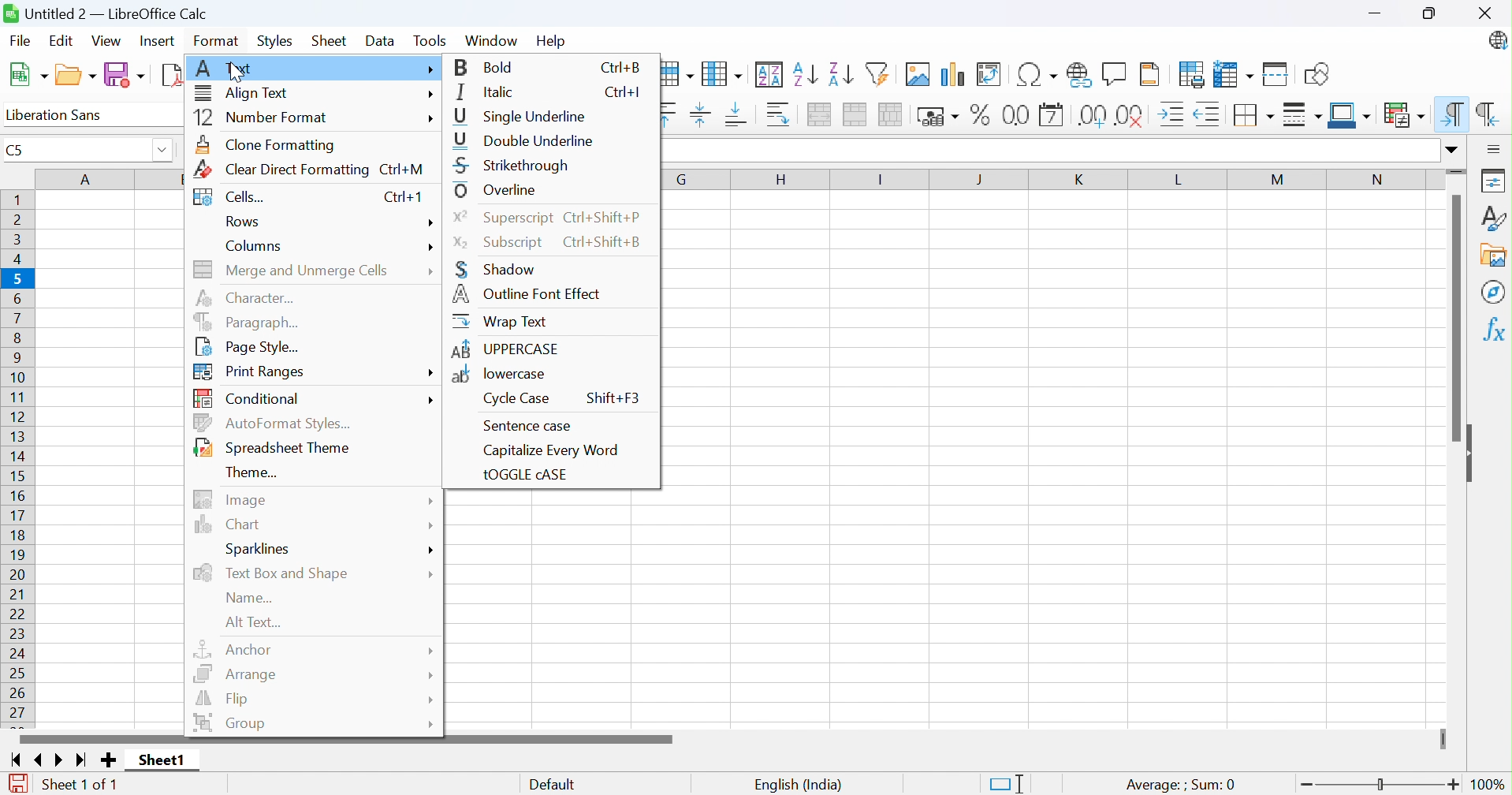 Image resolution: width=1512 pixels, height=795 pixels. I want to click on Styles, so click(275, 42).